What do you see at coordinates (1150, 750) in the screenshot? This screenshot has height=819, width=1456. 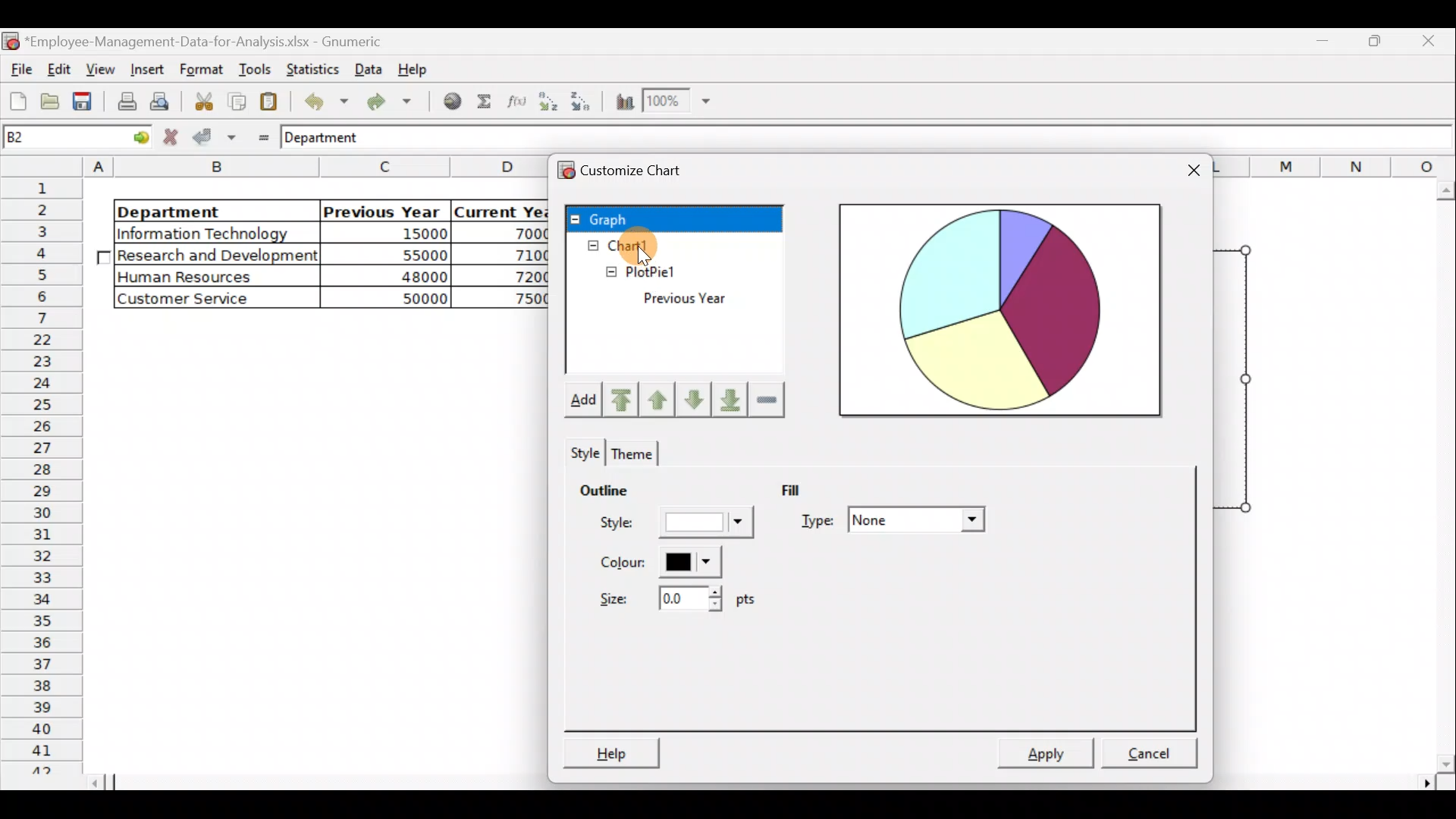 I see `Cancel` at bounding box center [1150, 750].